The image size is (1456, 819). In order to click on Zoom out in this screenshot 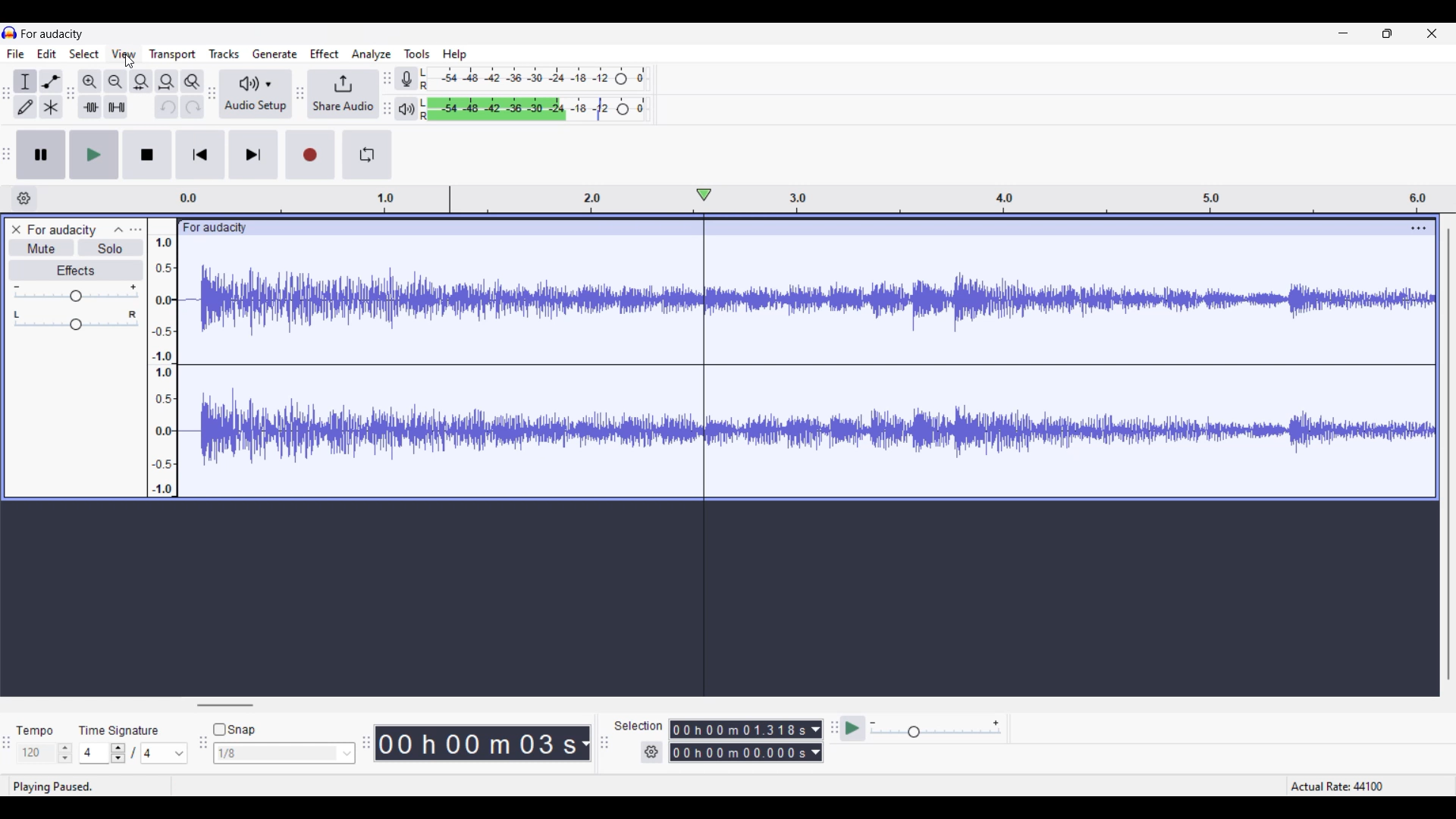, I will do `click(115, 82)`.